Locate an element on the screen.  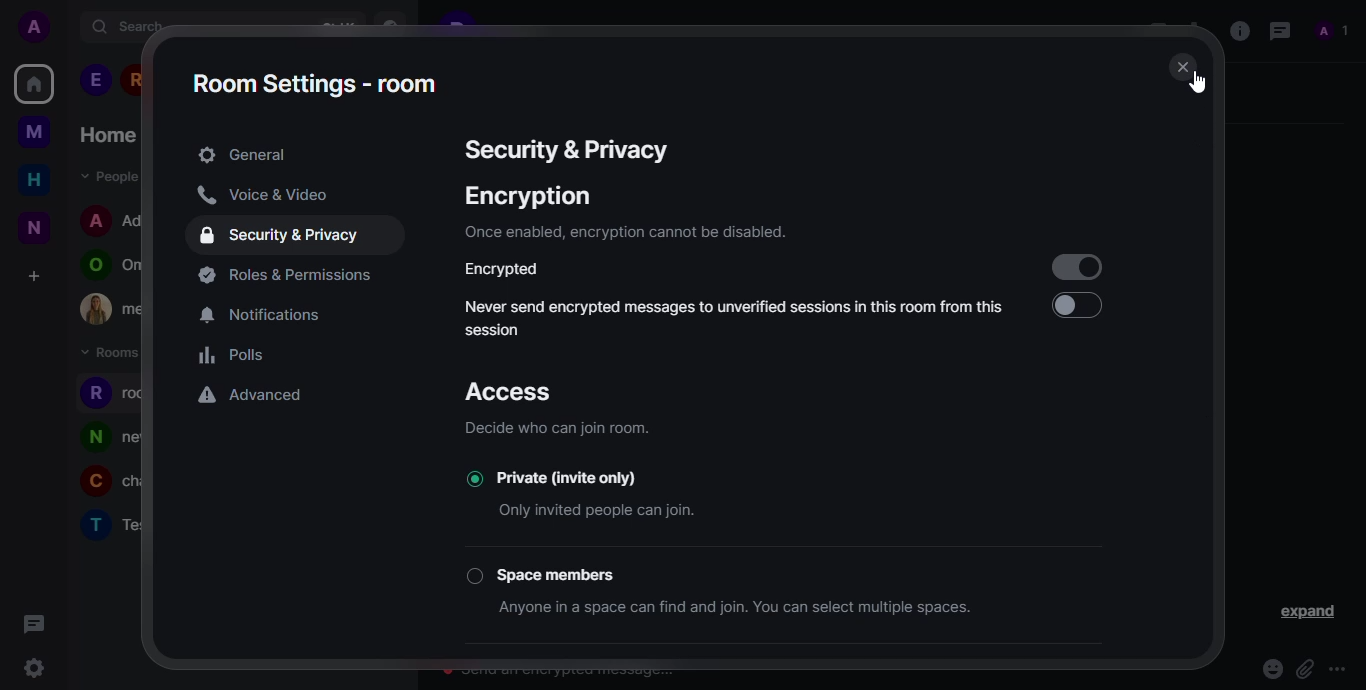
settings is located at coordinates (33, 670).